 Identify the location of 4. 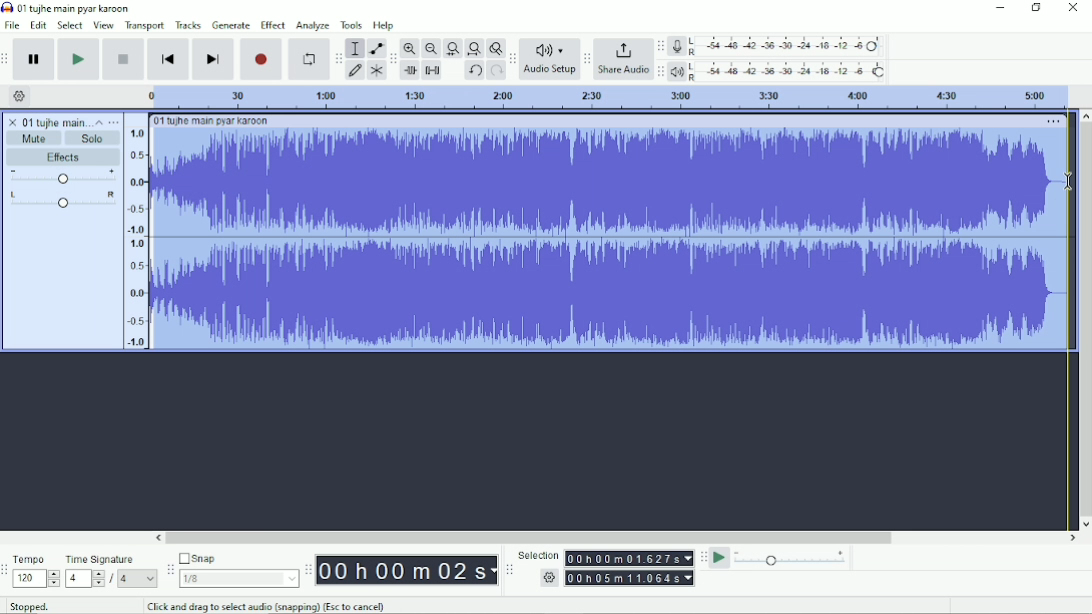
(85, 579).